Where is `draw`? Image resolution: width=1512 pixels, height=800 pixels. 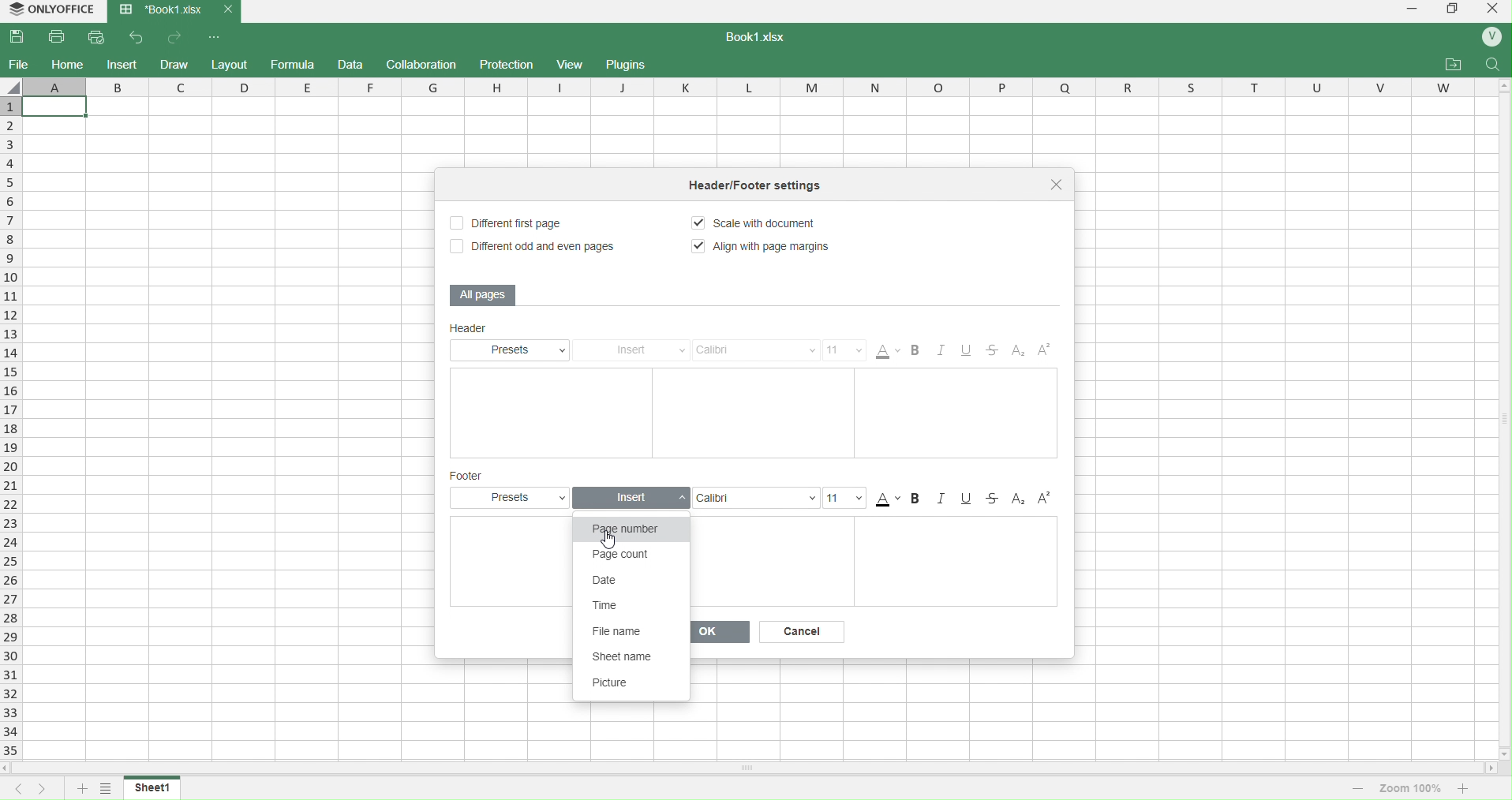 draw is located at coordinates (176, 63).